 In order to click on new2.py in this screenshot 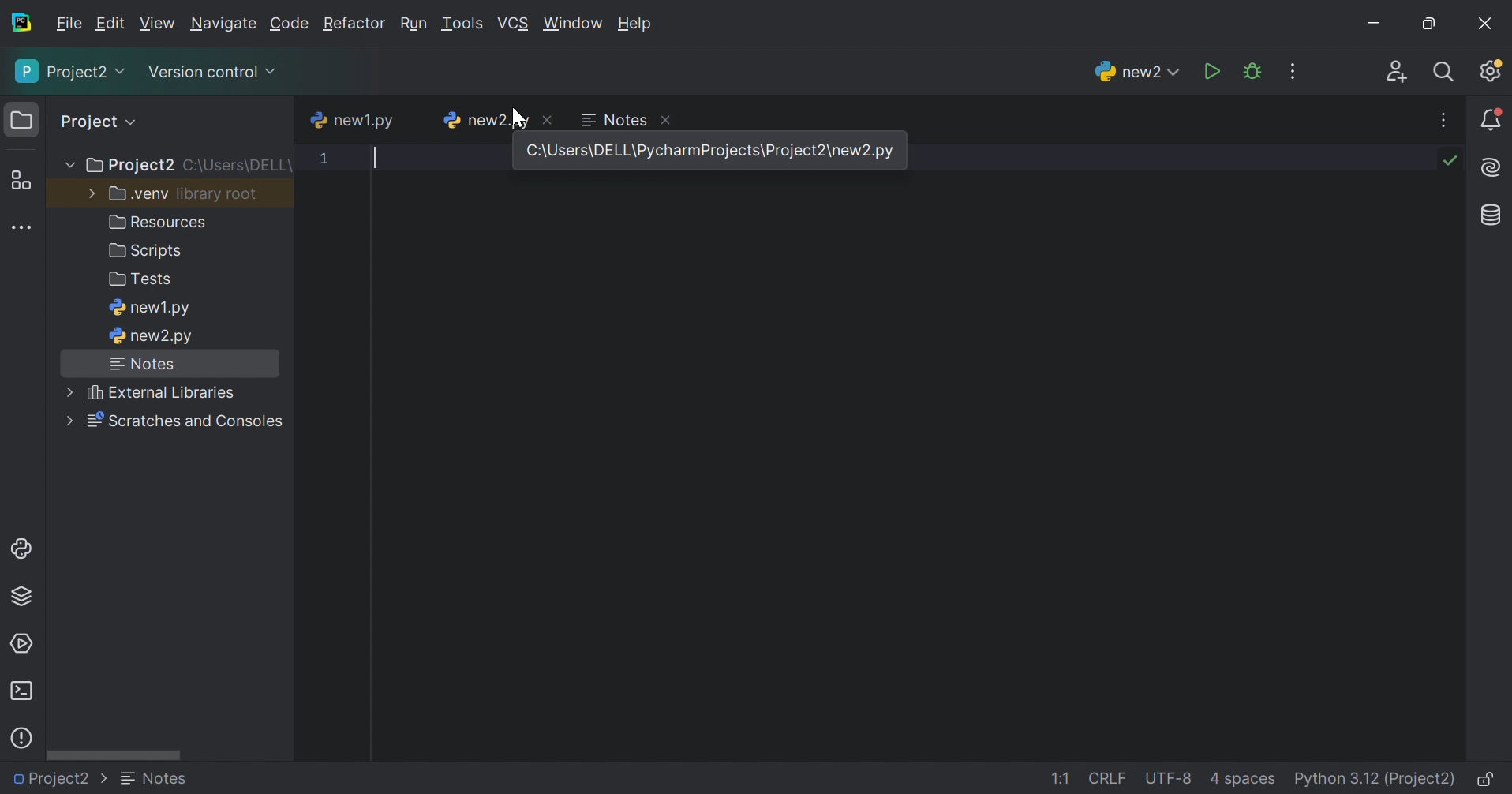, I will do `click(484, 120)`.